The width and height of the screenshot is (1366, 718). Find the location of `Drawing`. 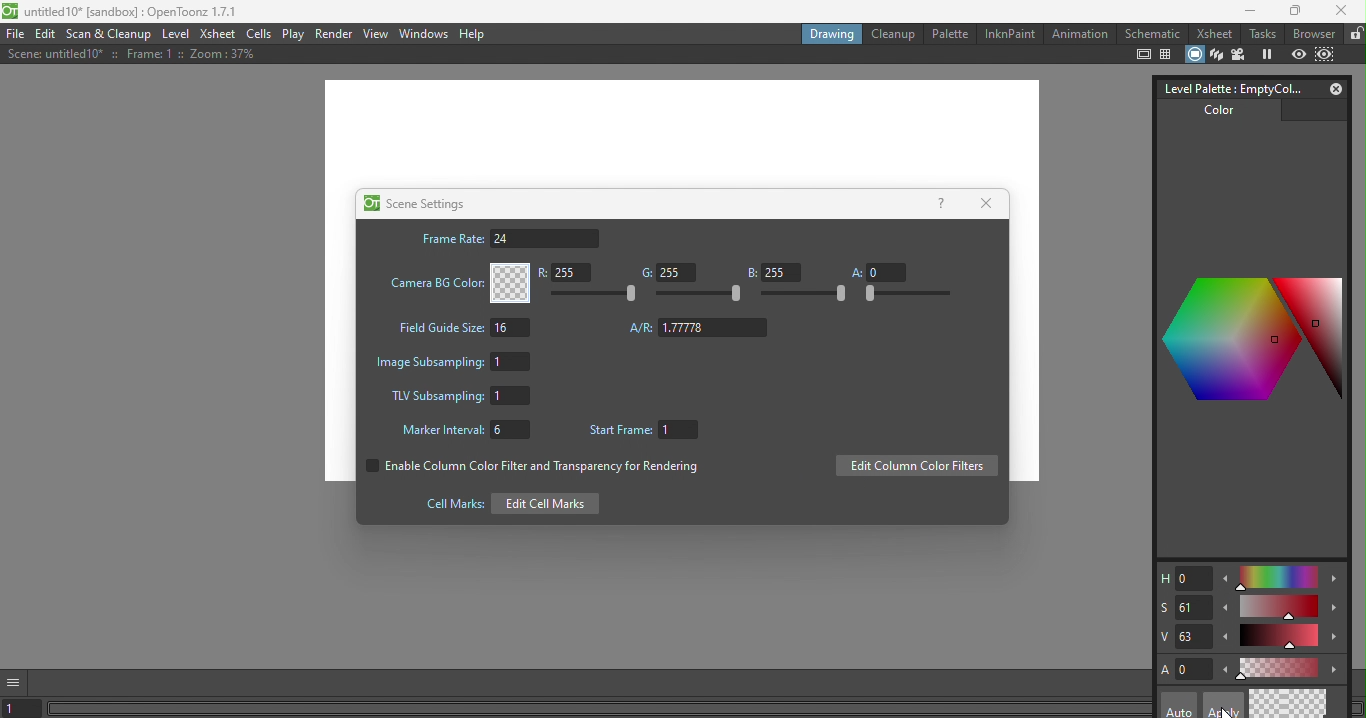

Drawing is located at coordinates (830, 33).